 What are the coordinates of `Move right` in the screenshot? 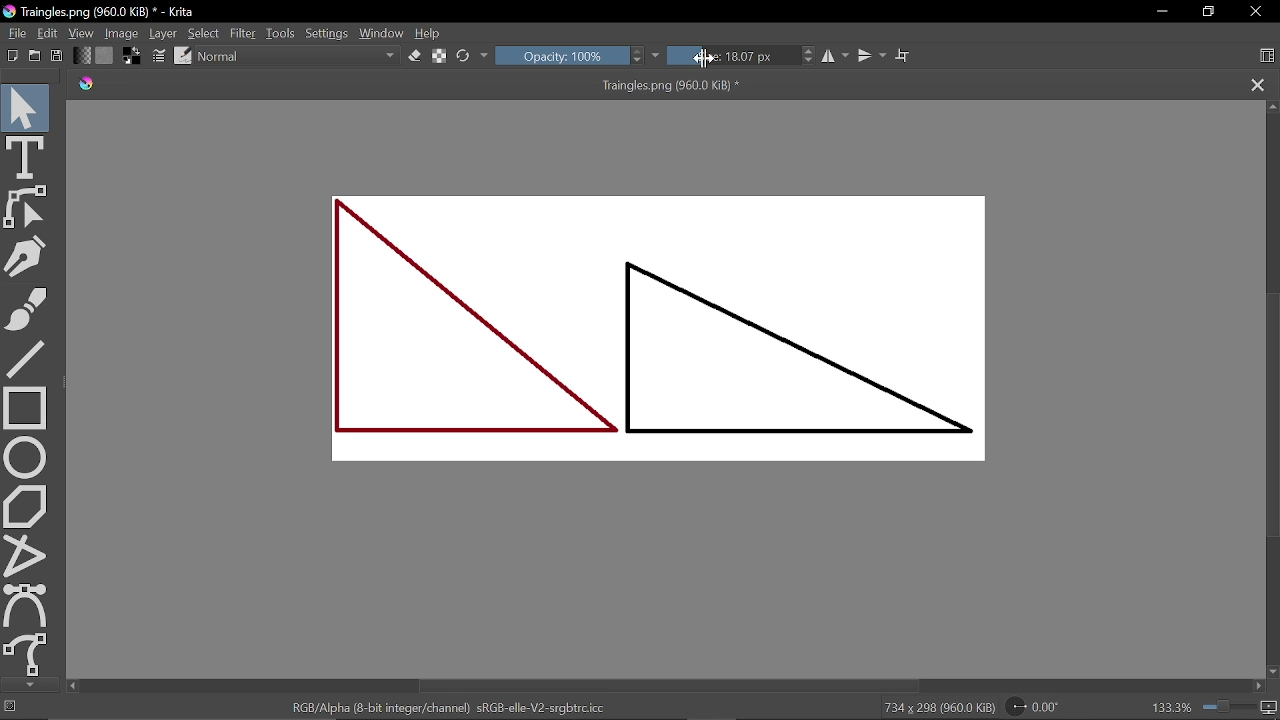 It's located at (1262, 687).